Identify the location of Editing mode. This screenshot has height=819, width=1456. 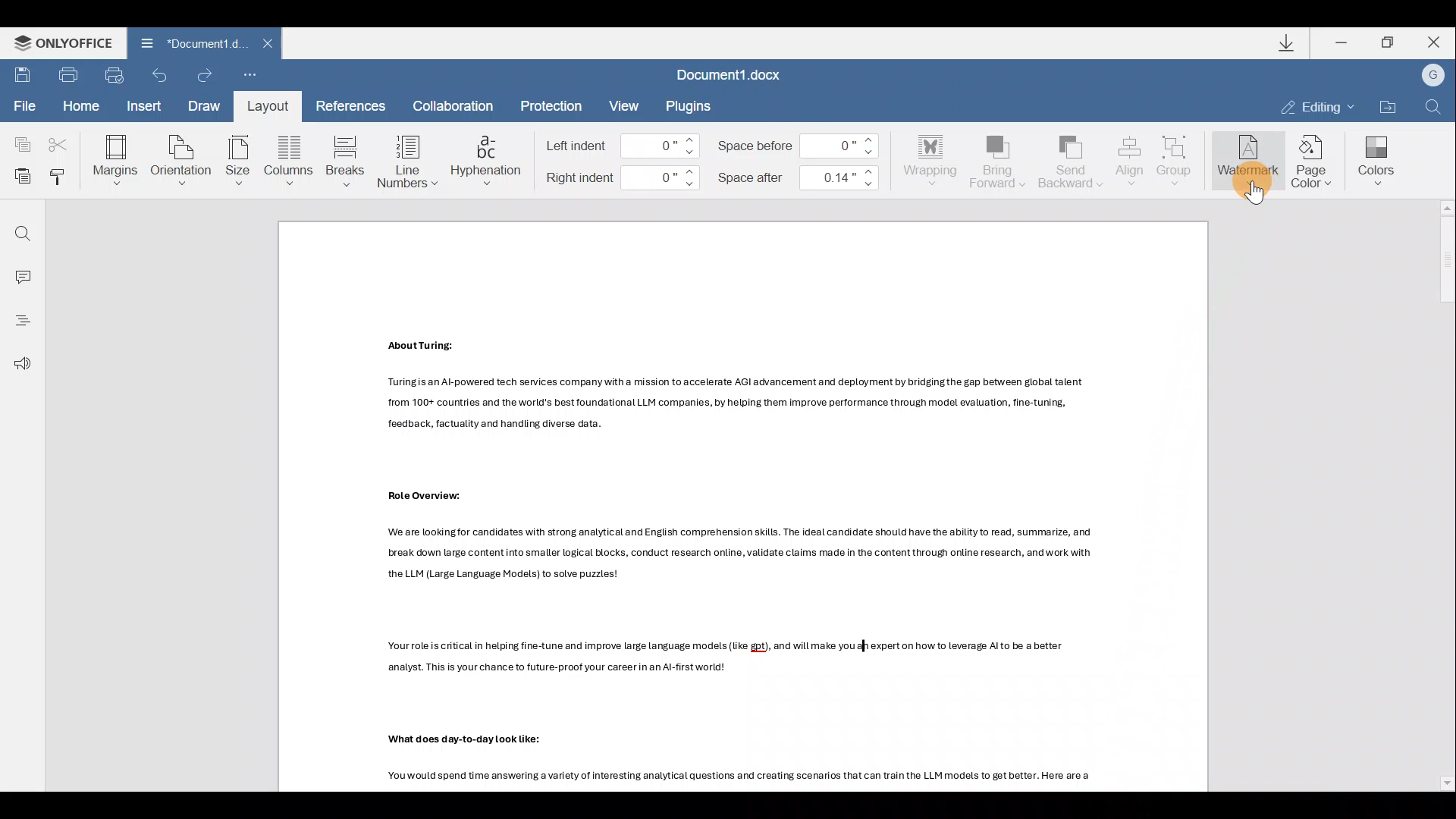
(1314, 105).